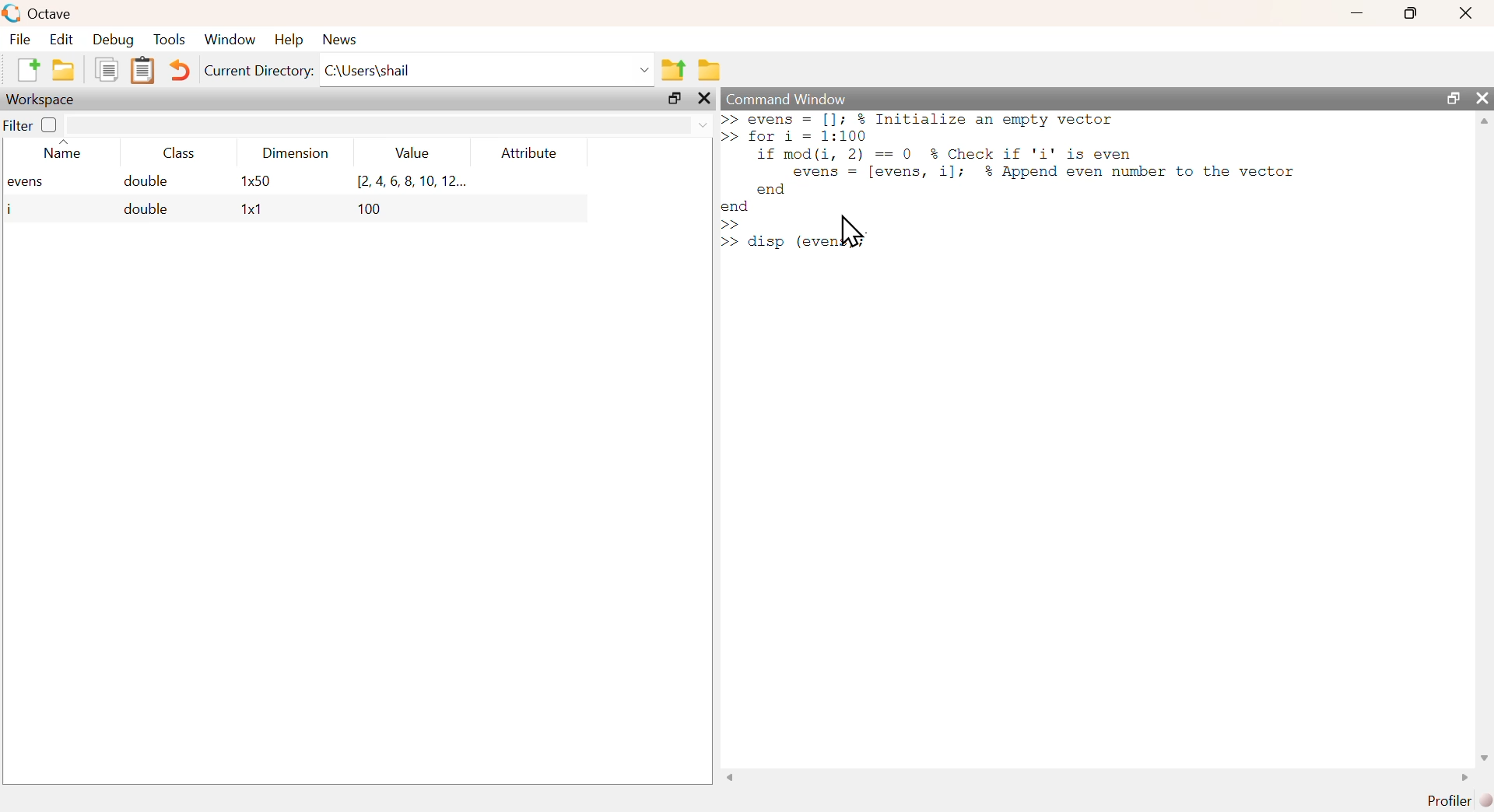 This screenshot has height=812, width=1494. Describe the element at coordinates (32, 184) in the screenshot. I see `evens` at that location.